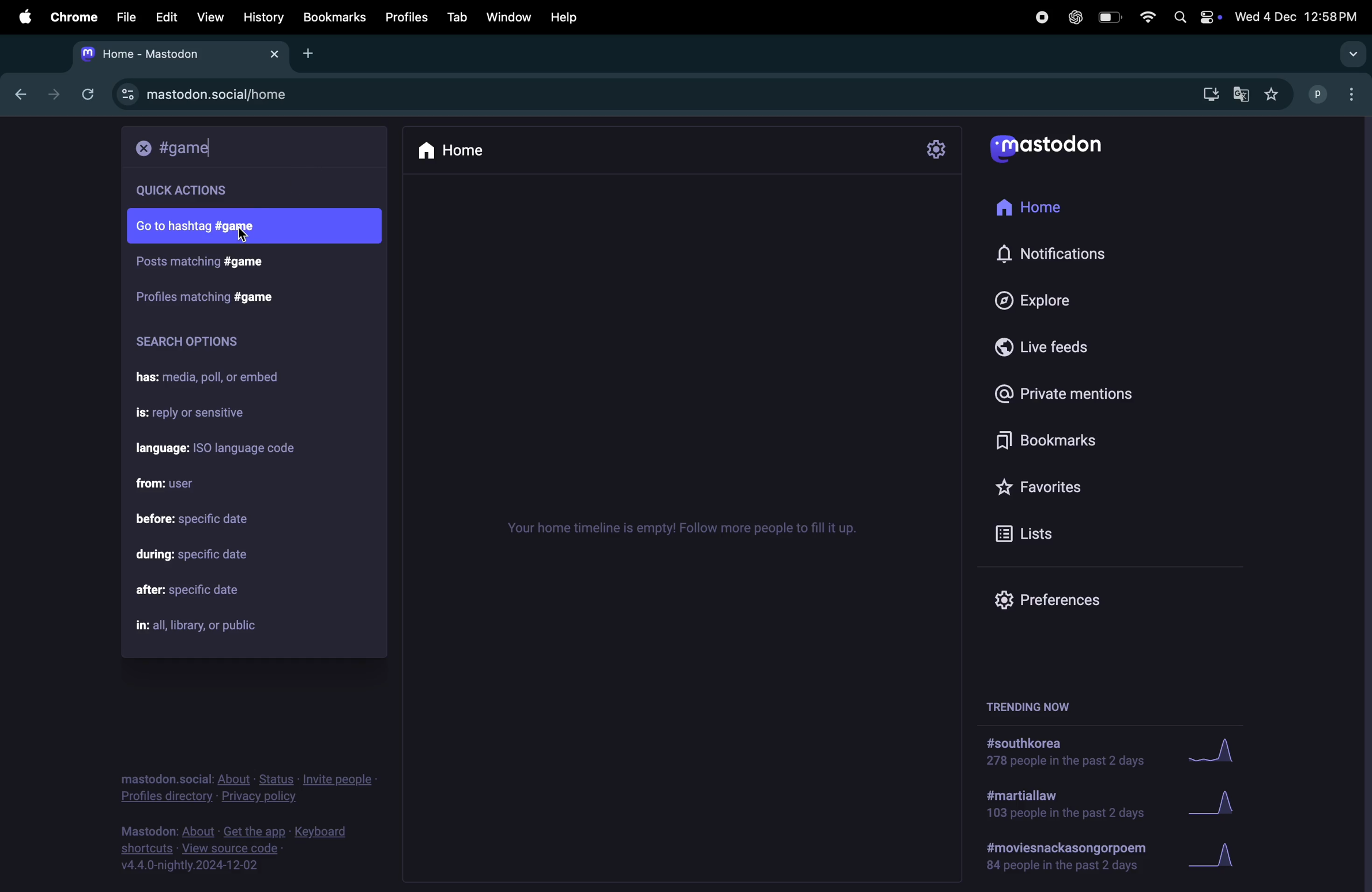 The width and height of the screenshot is (1372, 892). What do you see at coordinates (54, 92) in the screenshot?
I see `next tab` at bounding box center [54, 92].